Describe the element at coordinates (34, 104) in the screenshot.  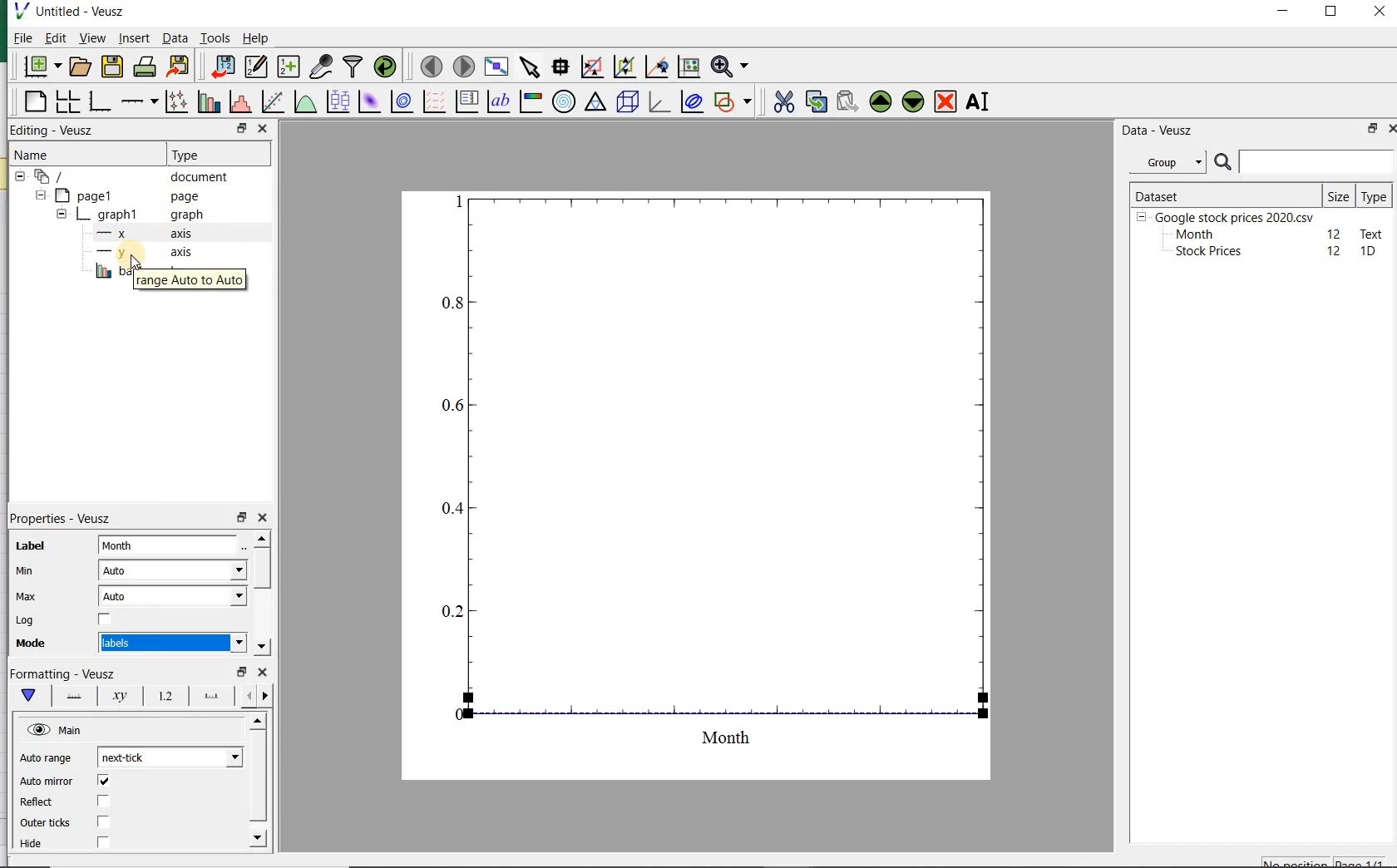
I see `blank page` at that location.